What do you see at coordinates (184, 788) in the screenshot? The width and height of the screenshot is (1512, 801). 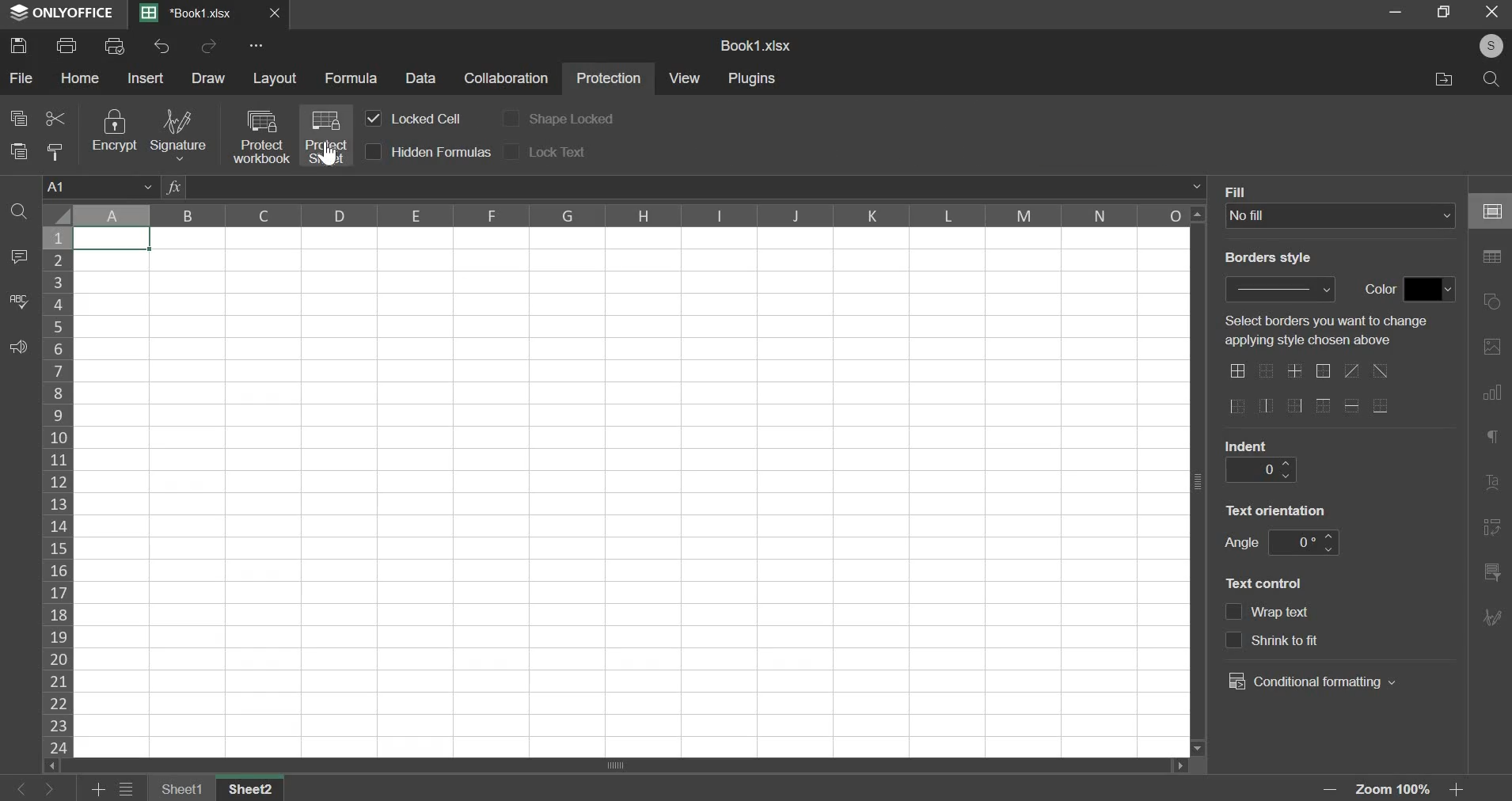 I see `sheet` at bounding box center [184, 788].